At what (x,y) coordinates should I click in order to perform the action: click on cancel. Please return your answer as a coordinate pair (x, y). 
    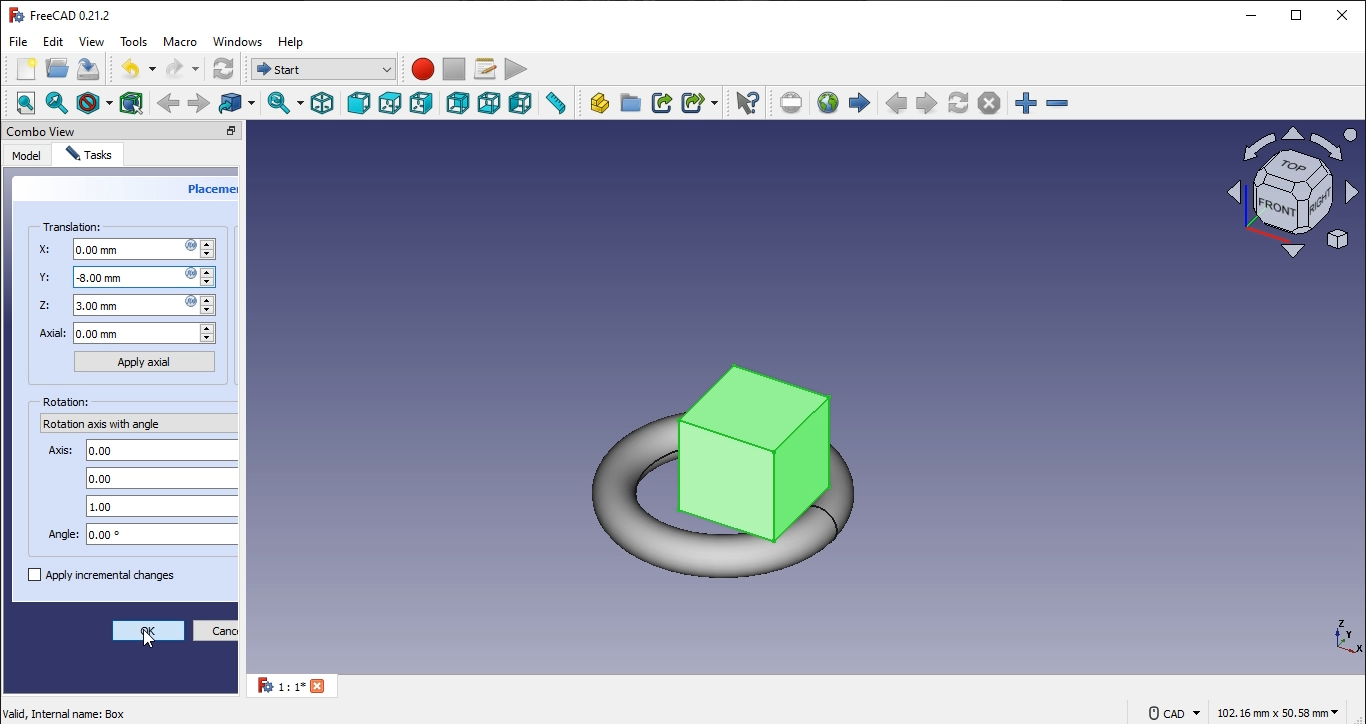
    Looking at the image, I should click on (217, 632).